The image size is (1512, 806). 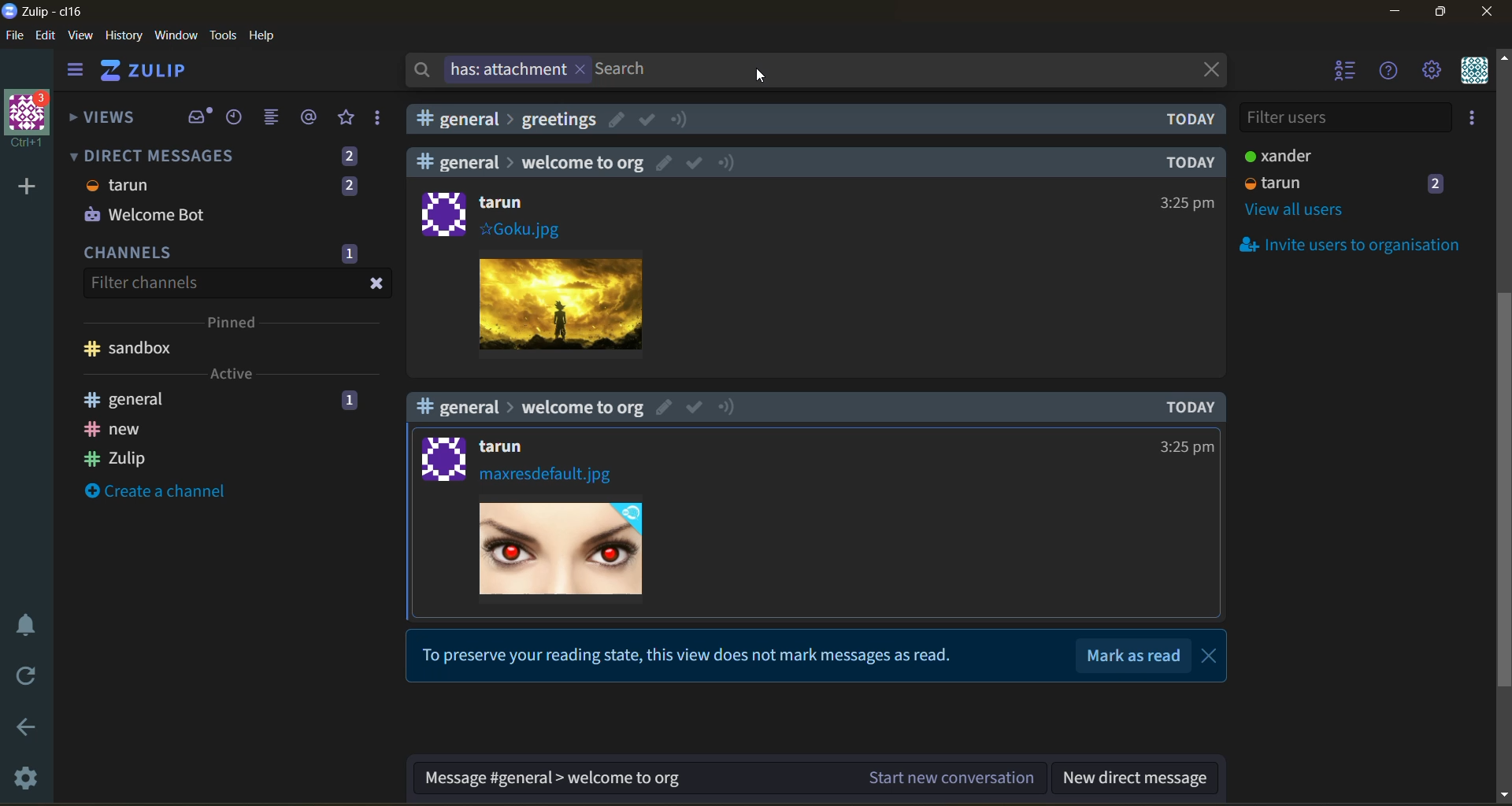 What do you see at coordinates (379, 119) in the screenshot?
I see `drafts and reactions` at bounding box center [379, 119].